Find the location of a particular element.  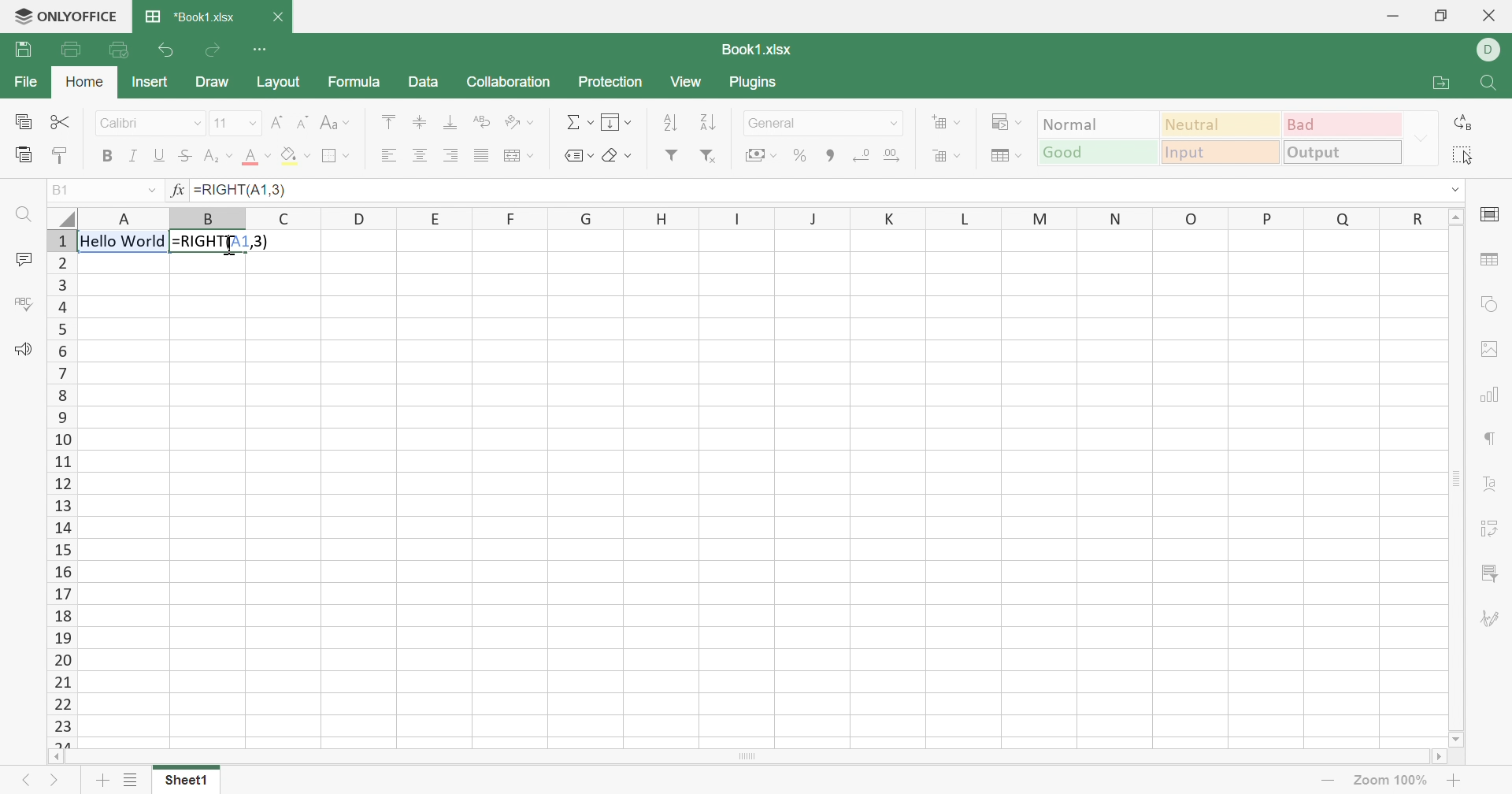

Borders is located at coordinates (336, 155).